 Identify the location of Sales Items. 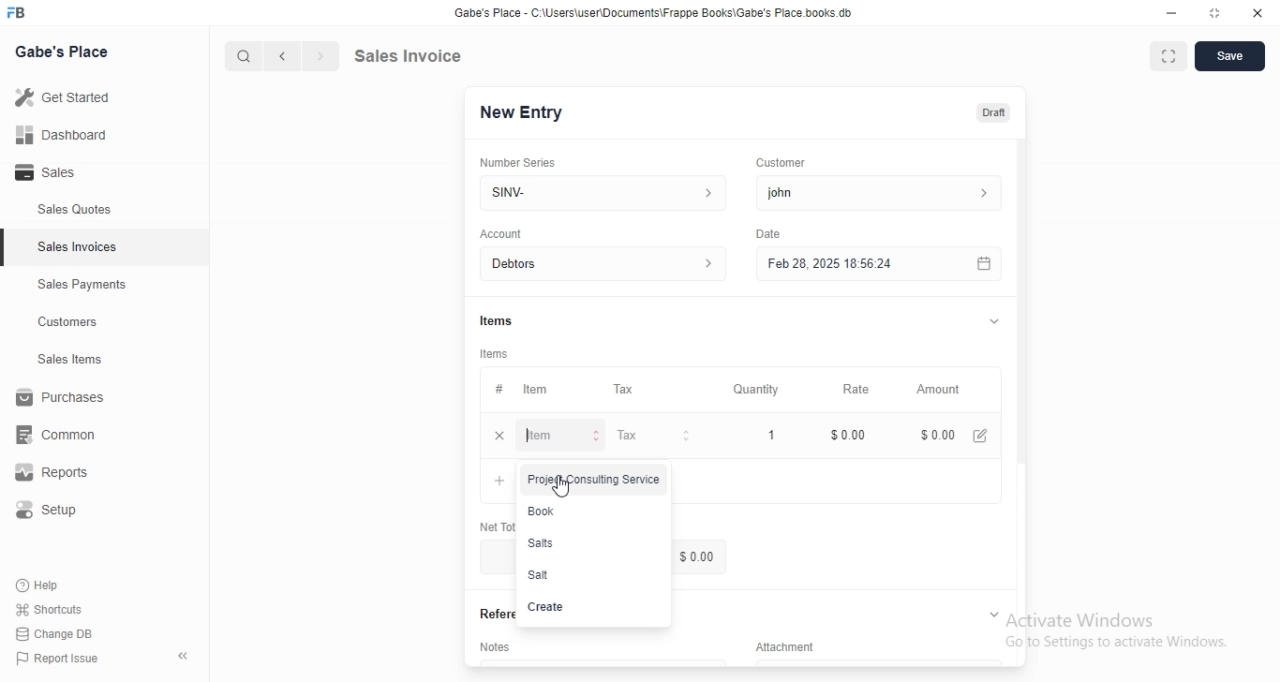
(61, 360).